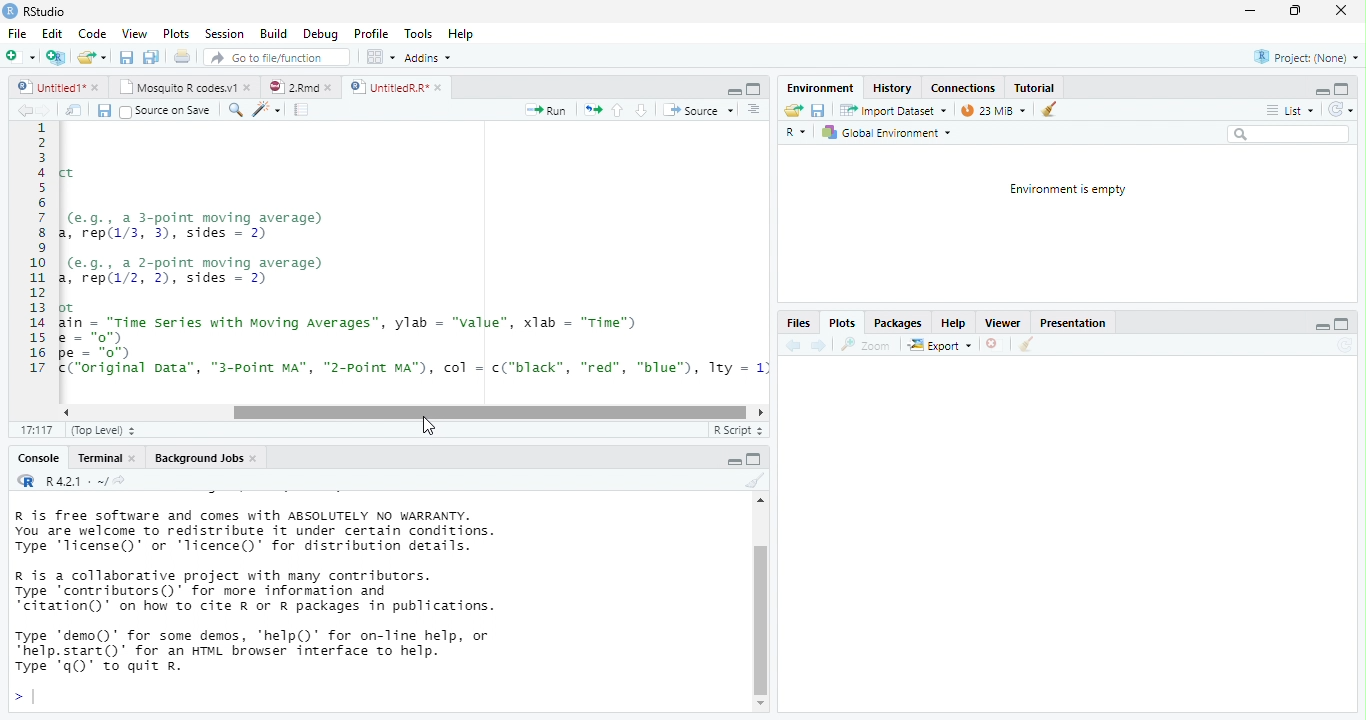 This screenshot has width=1366, height=720. What do you see at coordinates (1341, 110) in the screenshot?
I see `Refresh` at bounding box center [1341, 110].